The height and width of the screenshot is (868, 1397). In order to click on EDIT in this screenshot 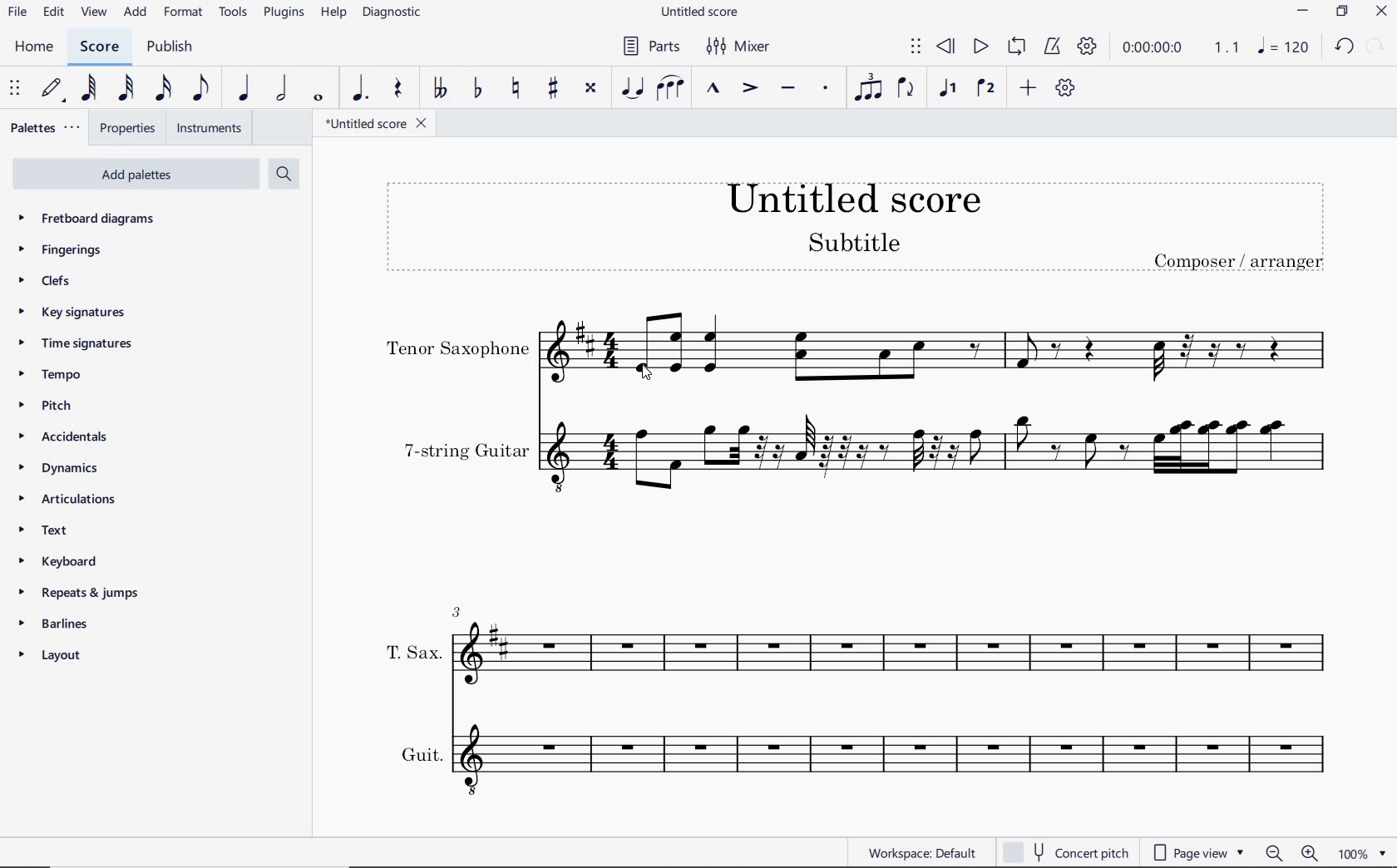, I will do `click(53, 13)`.